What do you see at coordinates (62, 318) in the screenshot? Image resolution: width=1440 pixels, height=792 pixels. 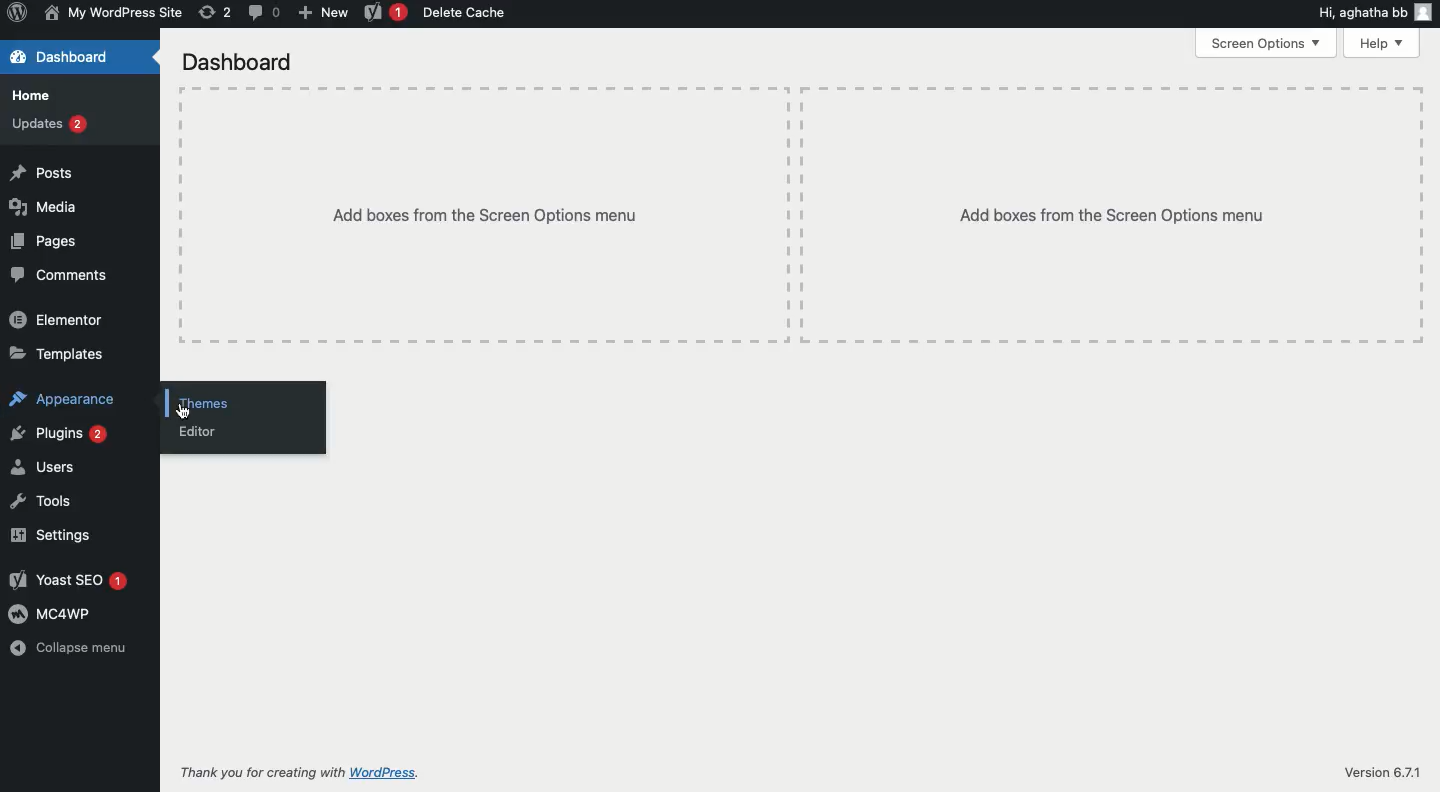 I see `Elementor` at bounding box center [62, 318].